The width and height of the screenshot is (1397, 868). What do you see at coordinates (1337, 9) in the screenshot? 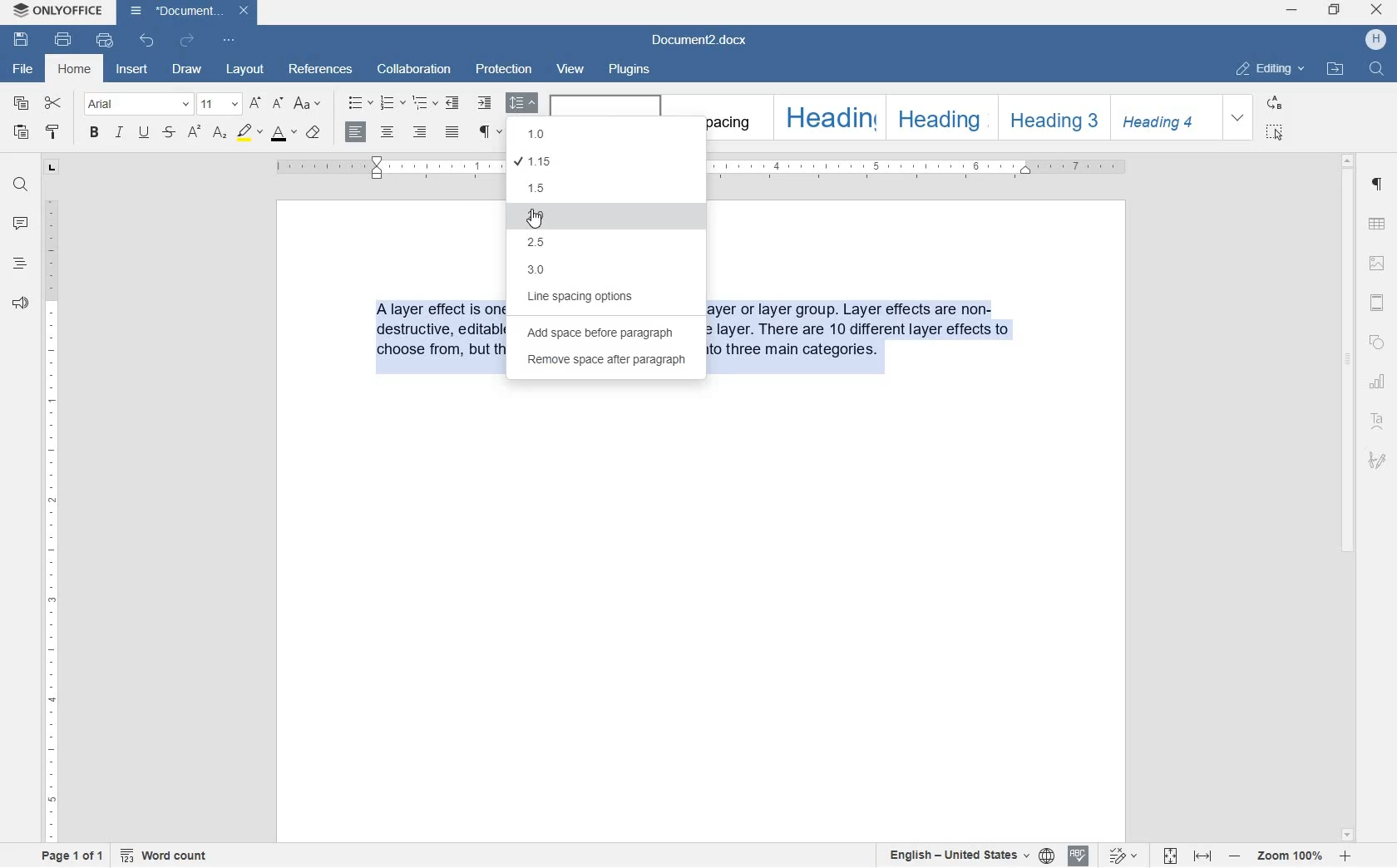
I see `restore` at bounding box center [1337, 9].